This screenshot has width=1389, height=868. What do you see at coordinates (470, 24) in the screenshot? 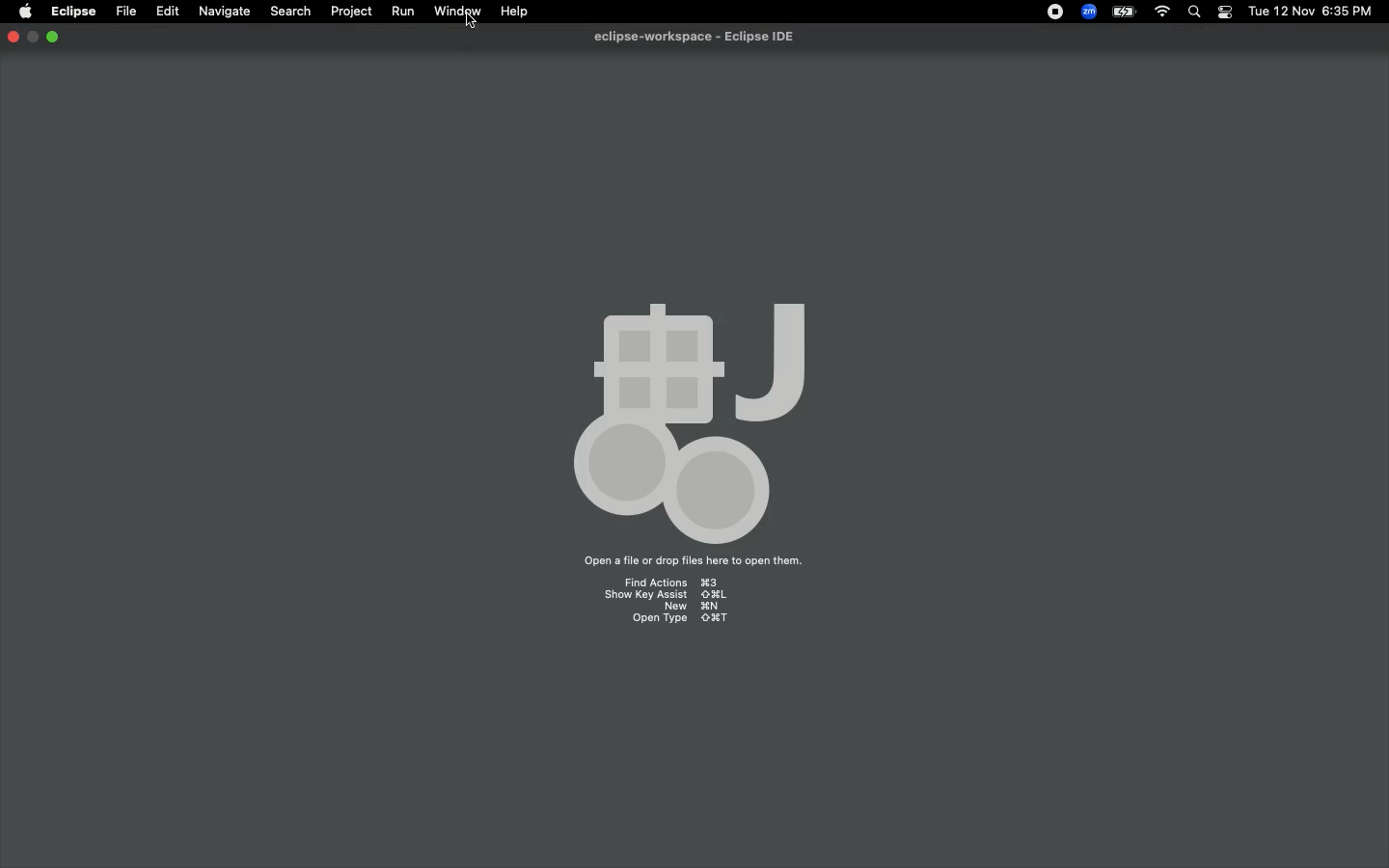
I see `CURSOR` at bounding box center [470, 24].